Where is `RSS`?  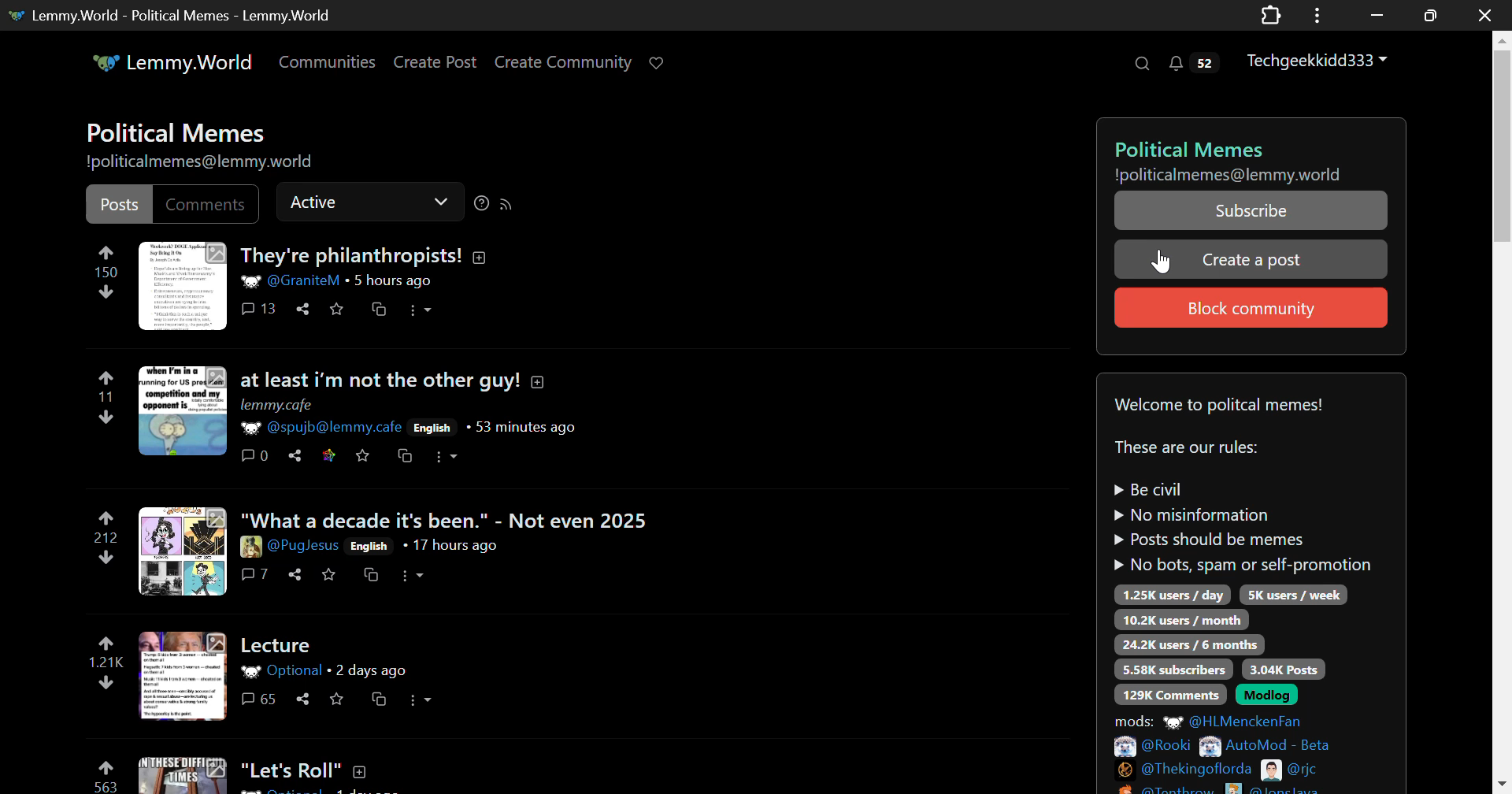 RSS is located at coordinates (507, 203).